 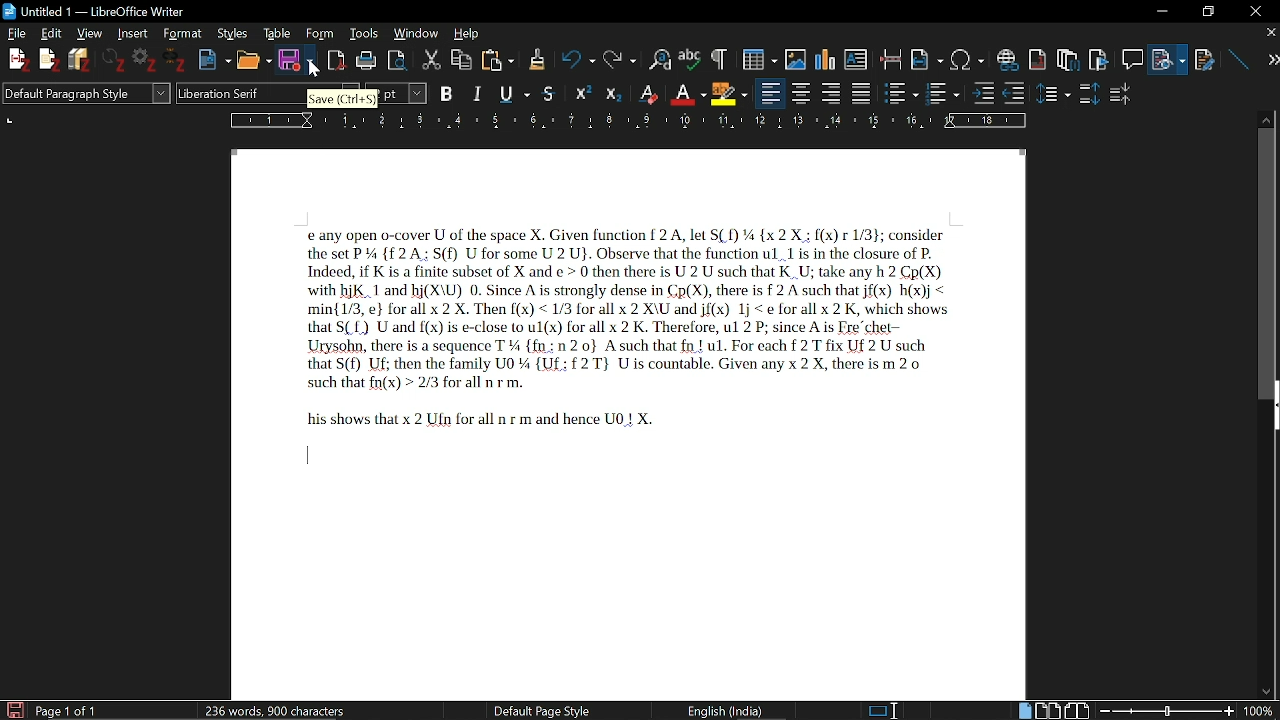 What do you see at coordinates (463, 58) in the screenshot?
I see `Copy` at bounding box center [463, 58].